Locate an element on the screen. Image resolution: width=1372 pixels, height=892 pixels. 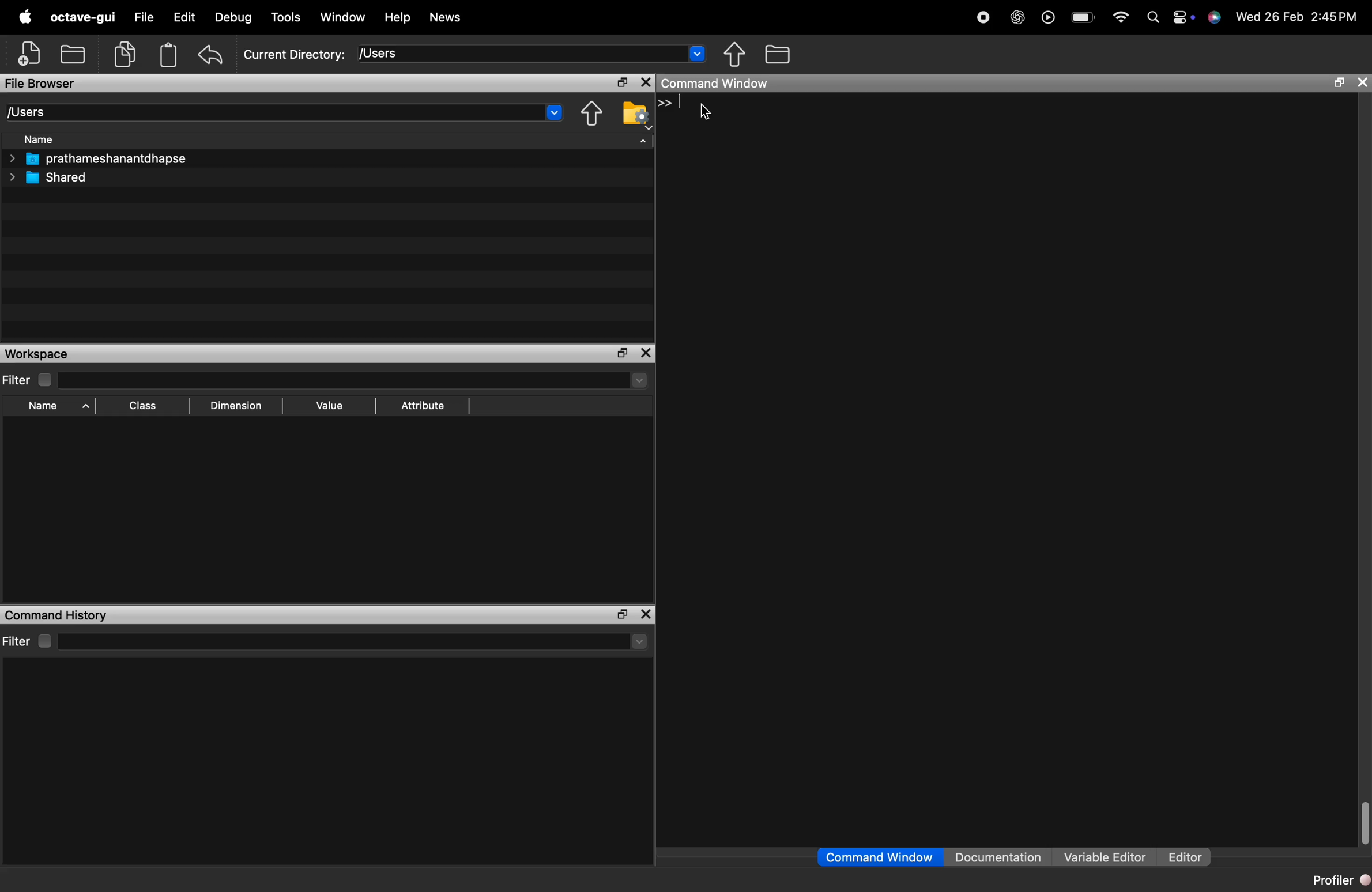
logo is located at coordinates (25, 17).